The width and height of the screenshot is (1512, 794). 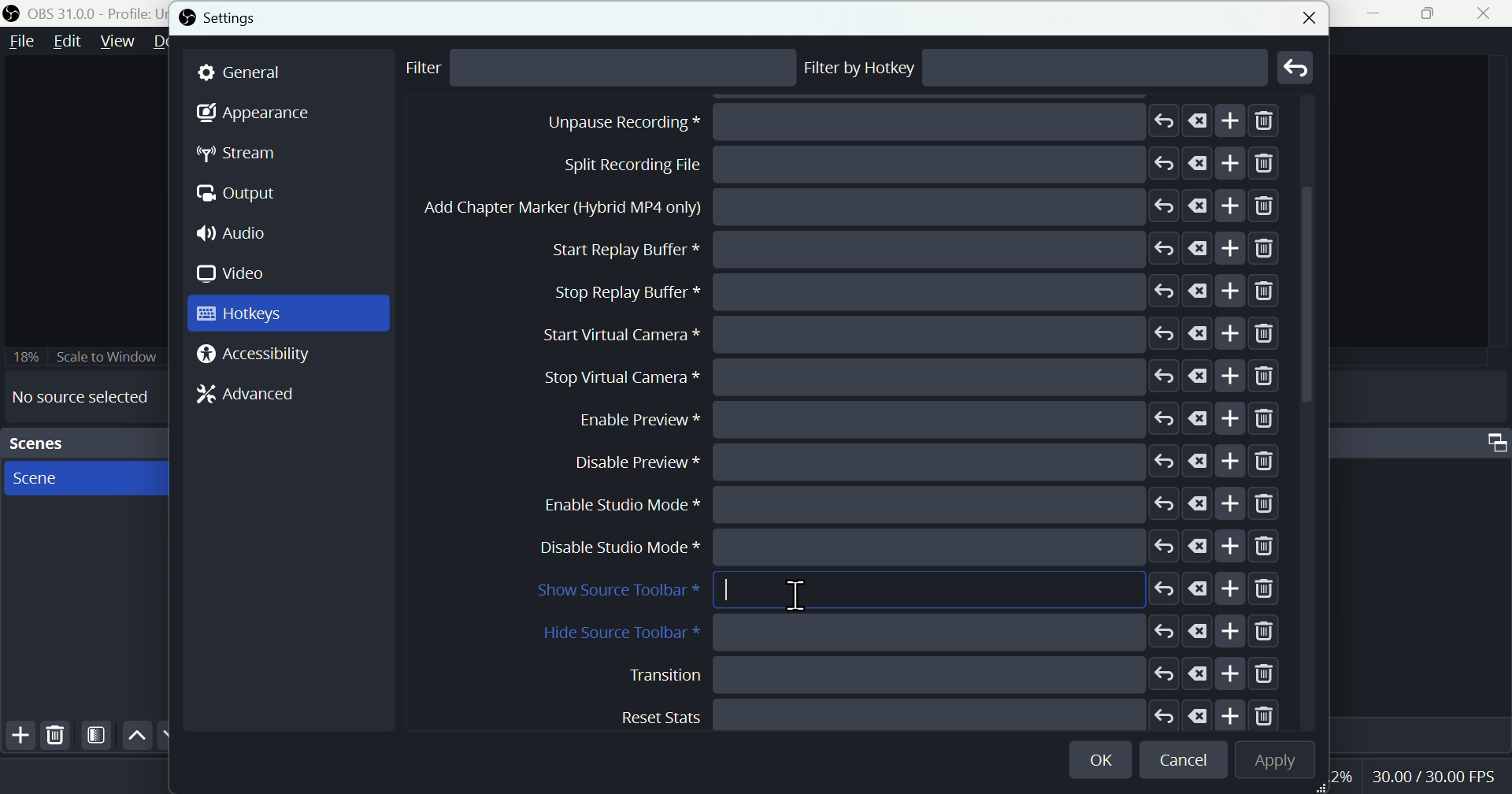 I want to click on Performance bar paanchala, so click(x=1436, y=779).